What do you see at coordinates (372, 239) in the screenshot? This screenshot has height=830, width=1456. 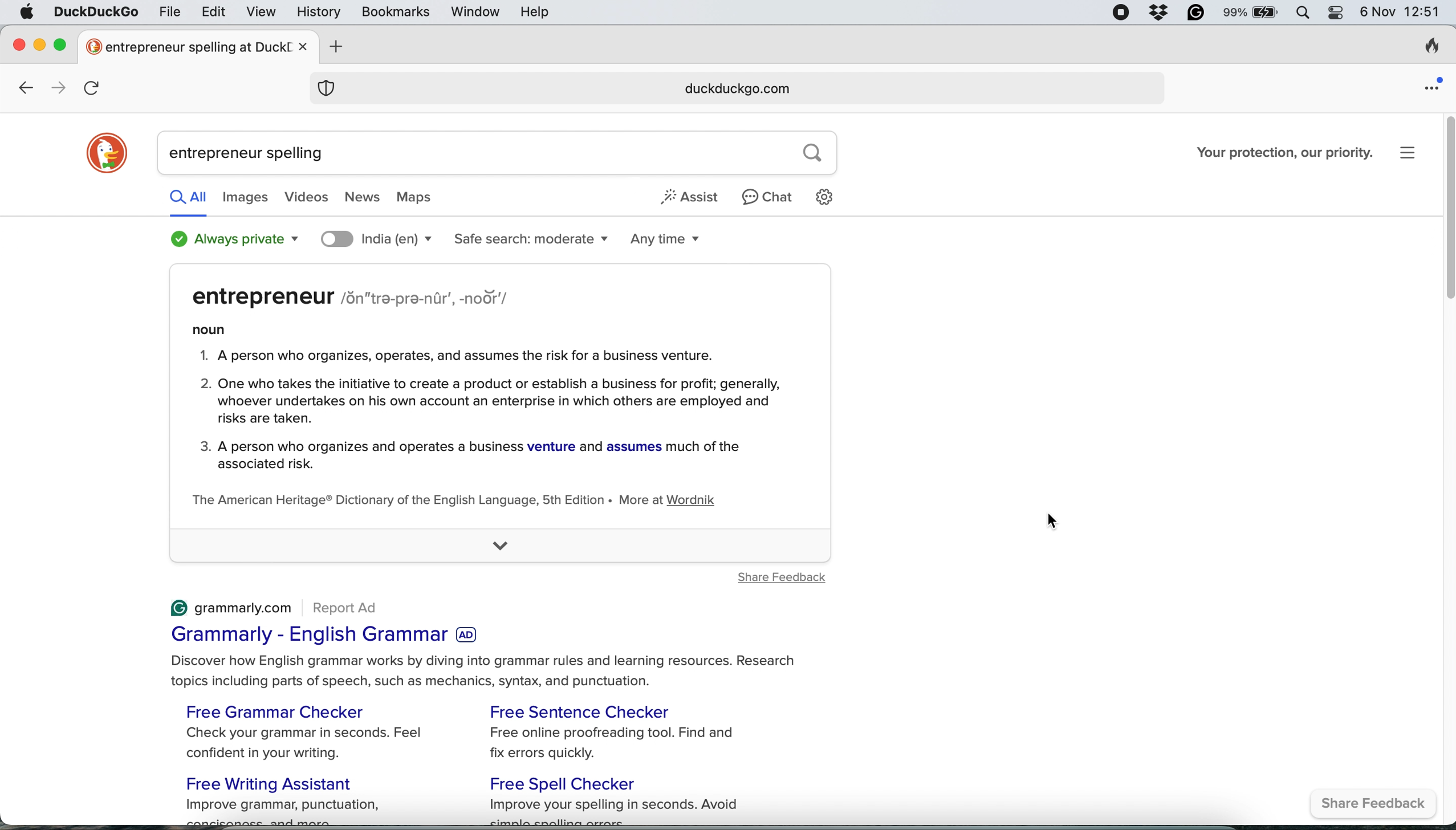 I see `India(en)` at bounding box center [372, 239].